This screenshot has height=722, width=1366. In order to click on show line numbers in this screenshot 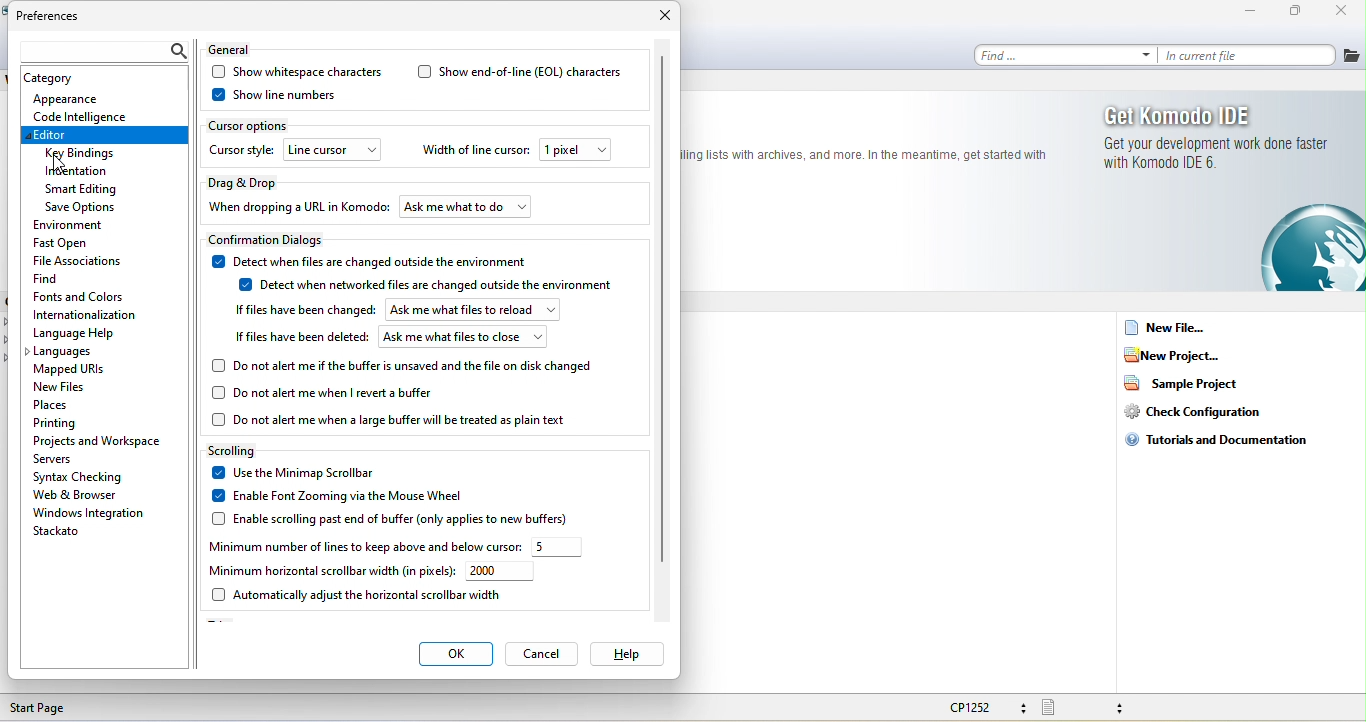, I will do `click(273, 95)`.